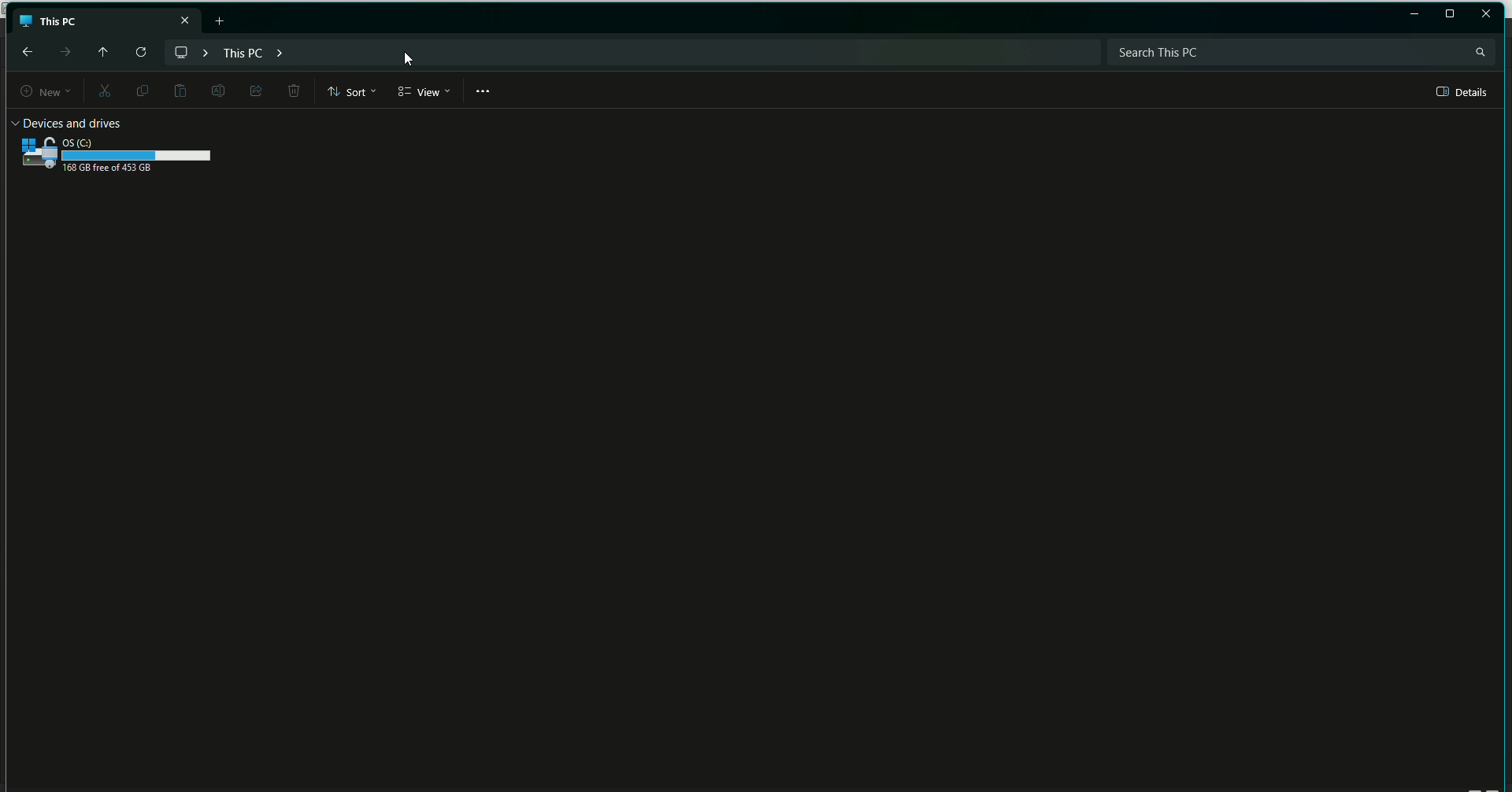 This screenshot has height=792, width=1512. Describe the element at coordinates (353, 91) in the screenshot. I see `Sort` at that location.